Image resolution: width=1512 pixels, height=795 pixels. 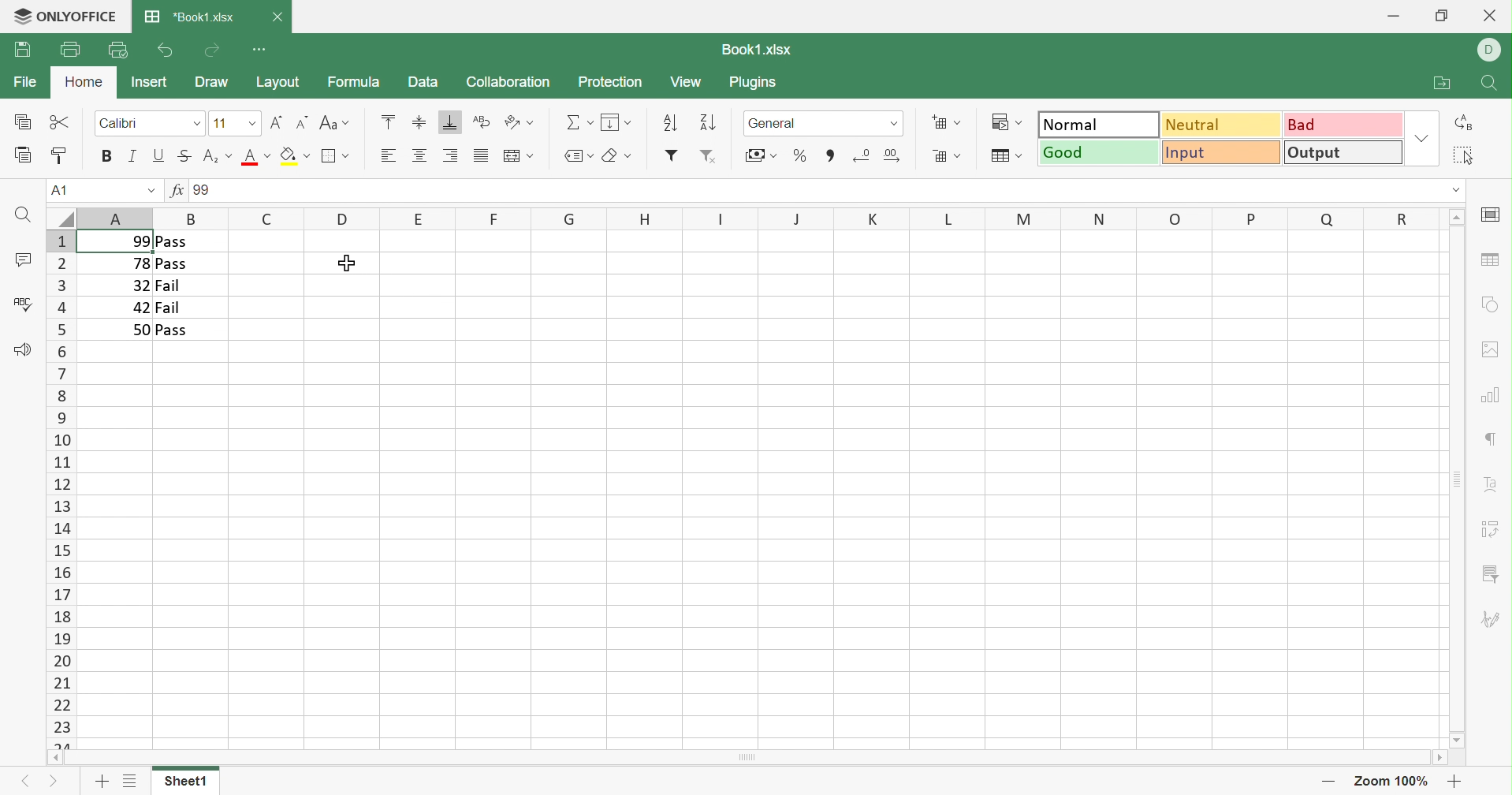 I want to click on logo, so click(x=18, y=15).